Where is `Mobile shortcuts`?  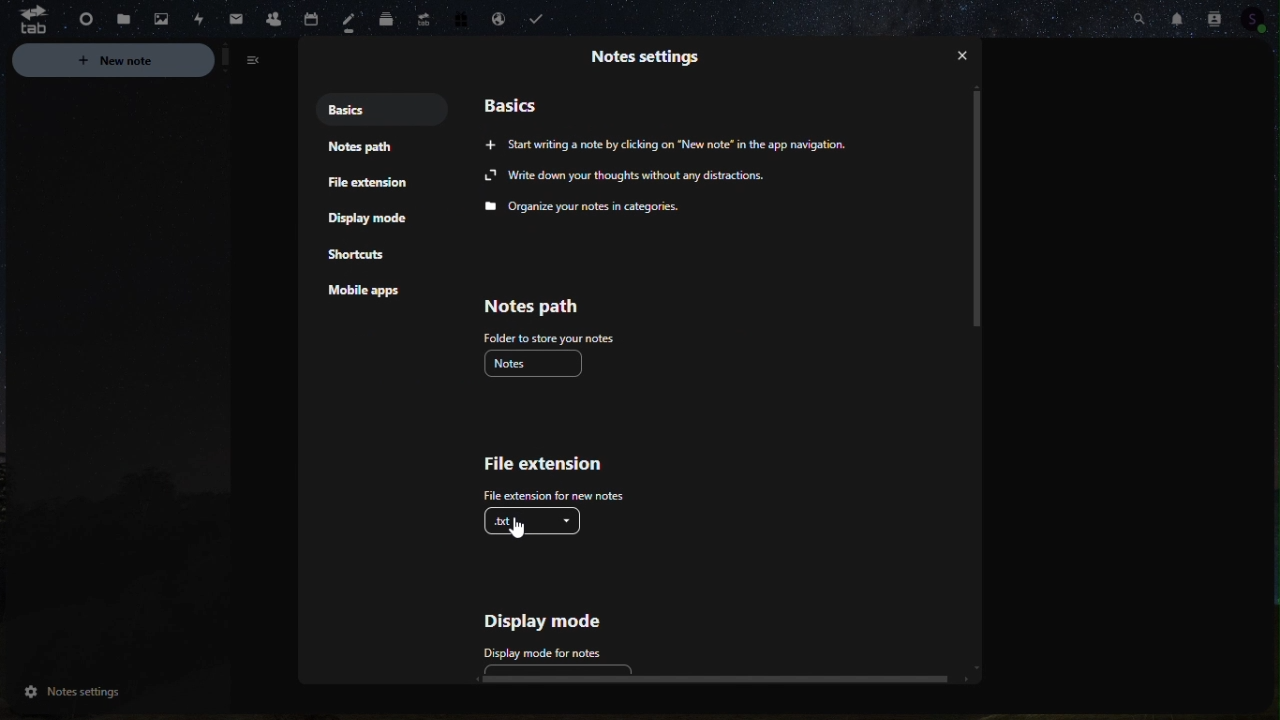
Mobile shortcuts is located at coordinates (365, 253).